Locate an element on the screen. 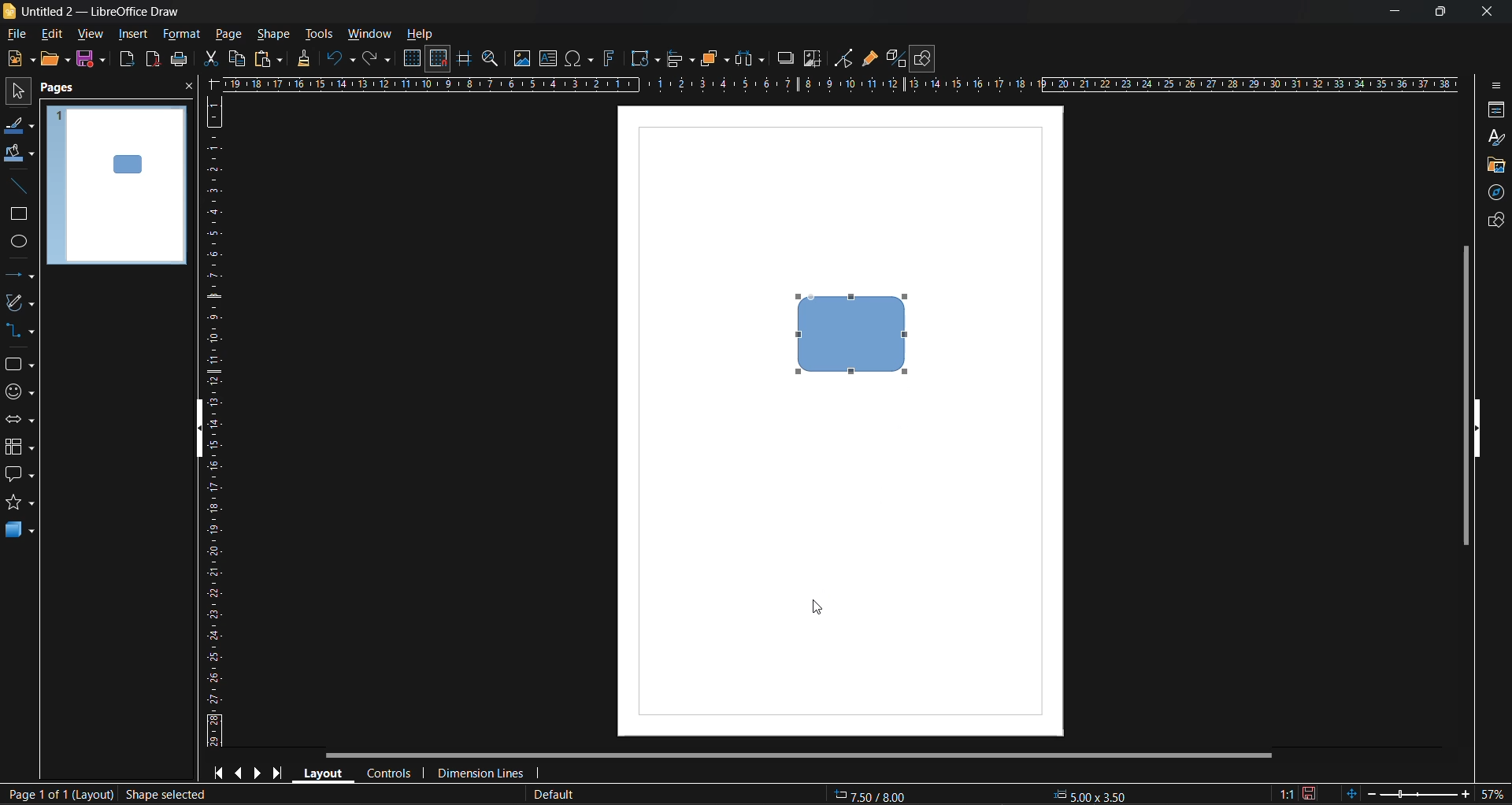 The width and height of the screenshot is (1512, 805). zoom out is located at coordinates (1369, 792).